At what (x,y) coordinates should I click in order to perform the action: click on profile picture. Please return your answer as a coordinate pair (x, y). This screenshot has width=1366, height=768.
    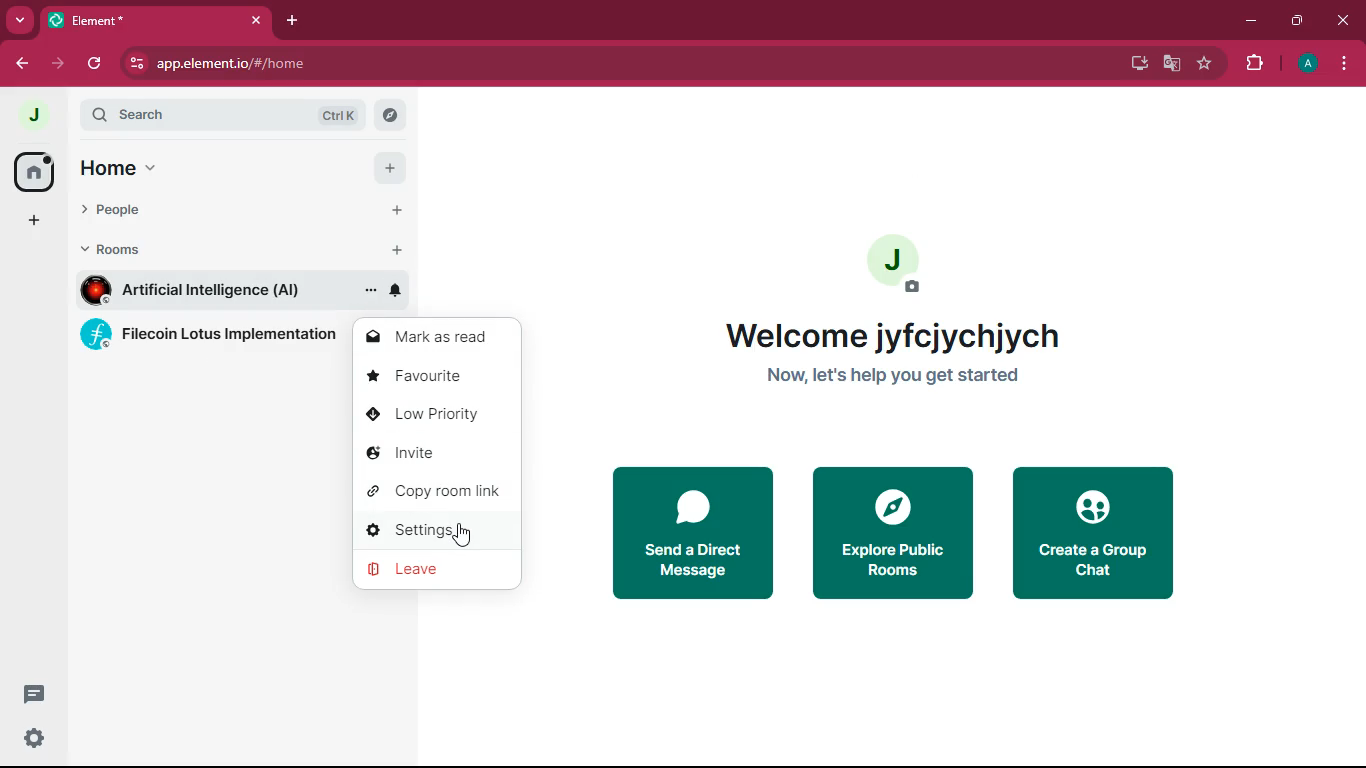
    Looking at the image, I should click on (900, 262).